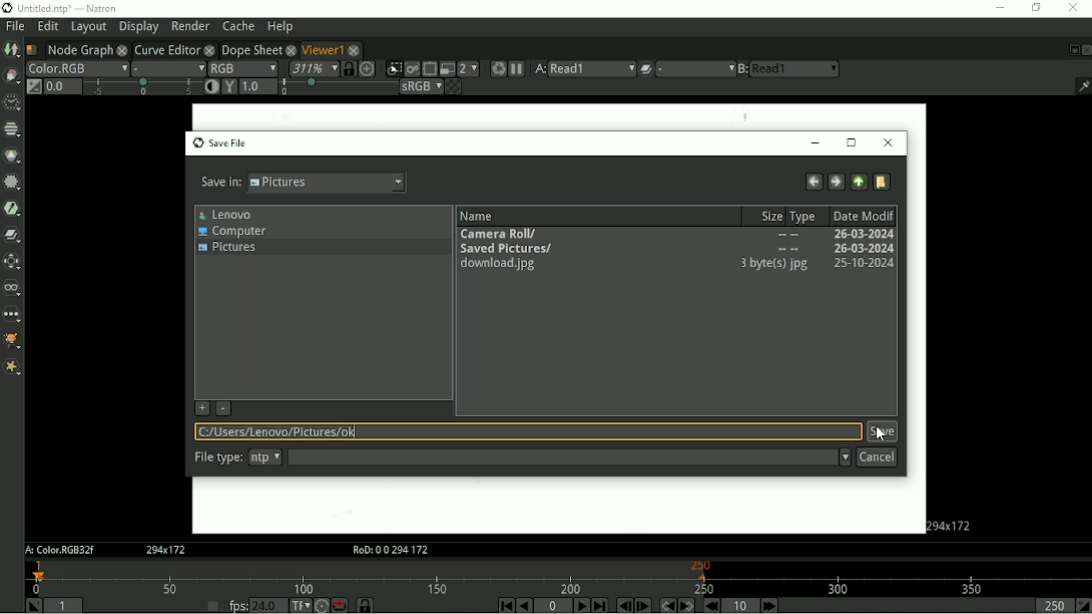  What do you see at coordinates (243, 68) in the screenshot?
I see `Display channels` at bounding box center [243, 68].